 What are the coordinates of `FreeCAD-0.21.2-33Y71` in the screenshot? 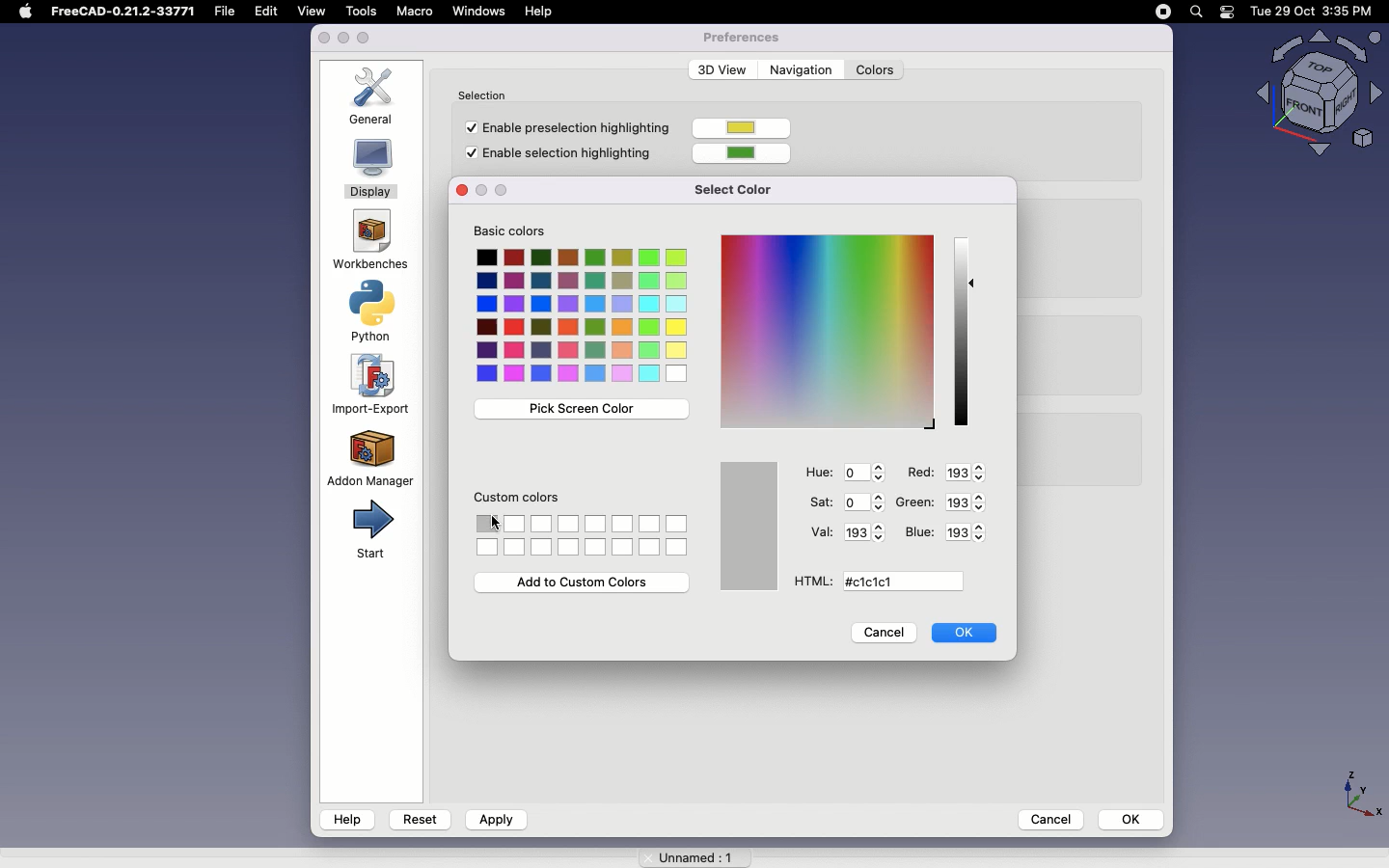 It's located at (126, 14).